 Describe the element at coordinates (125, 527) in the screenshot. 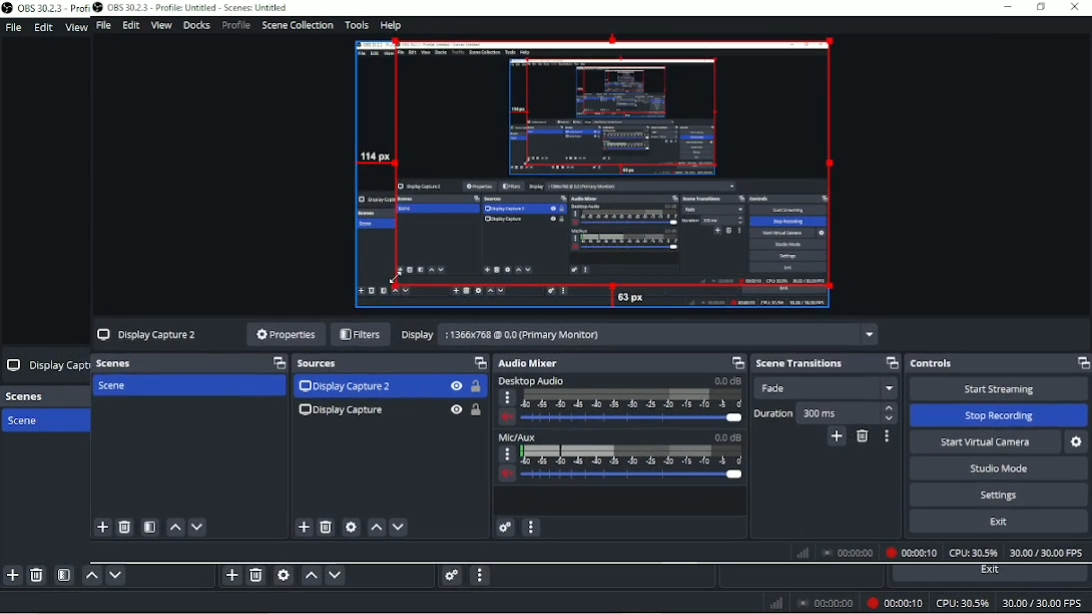

I see `delete` at that location.